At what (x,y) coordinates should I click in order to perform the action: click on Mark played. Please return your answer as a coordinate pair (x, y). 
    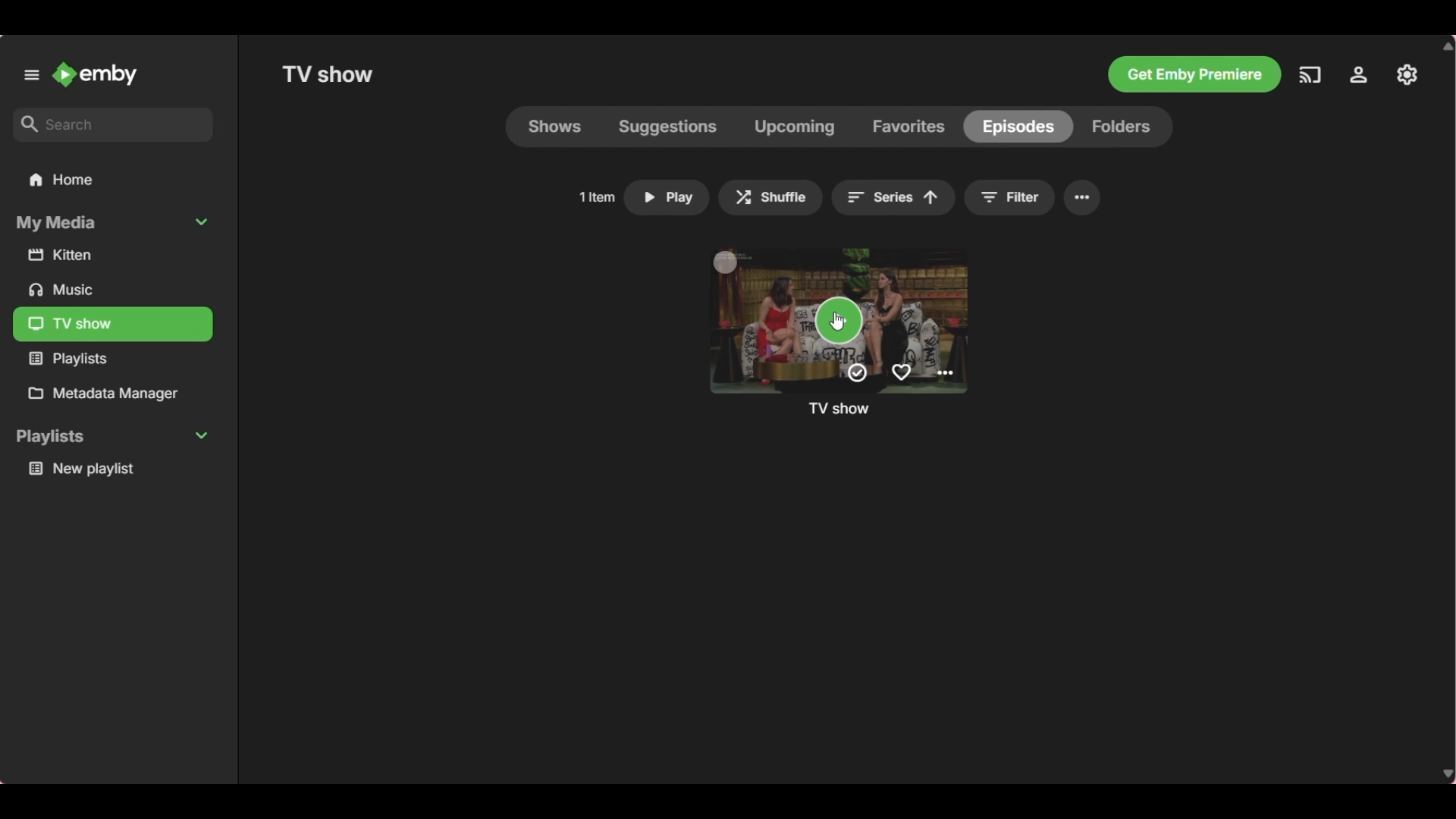
    Looking at the image, I should click on (857, 373).